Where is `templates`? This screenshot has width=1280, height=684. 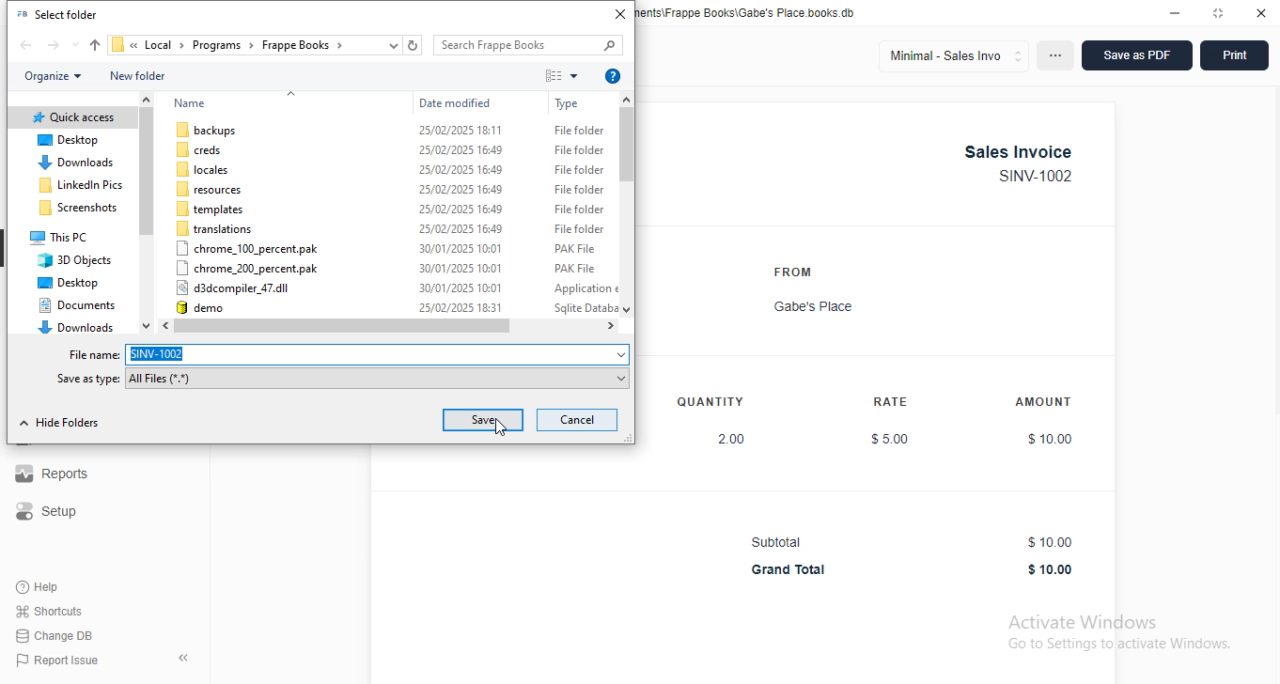 templates is located at coordinates (211, 209).